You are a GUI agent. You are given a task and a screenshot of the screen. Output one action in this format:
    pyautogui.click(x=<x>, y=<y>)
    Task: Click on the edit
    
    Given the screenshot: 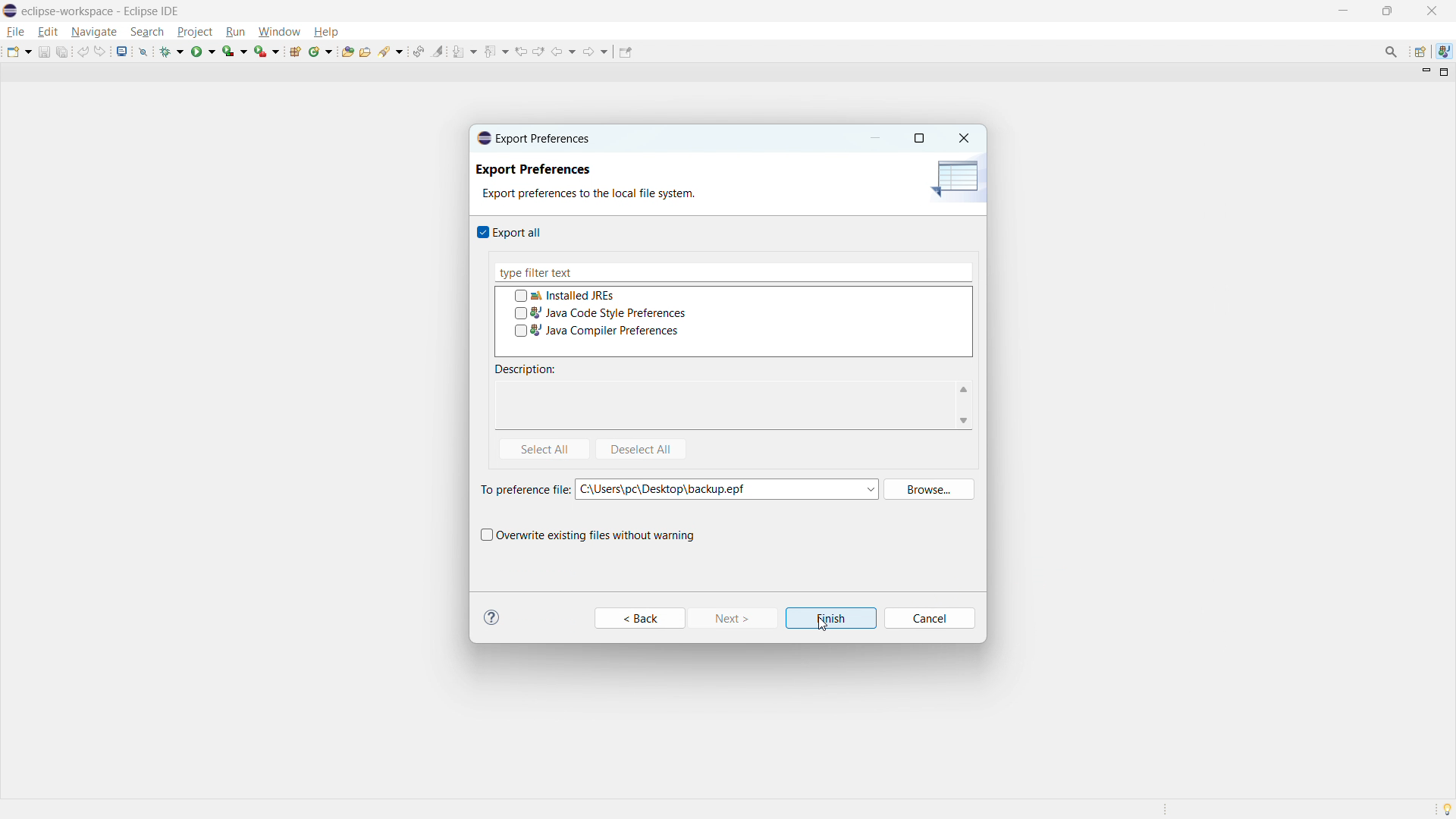 What is the action you would take?
    pyautogui.click(x=48, y=32)
    